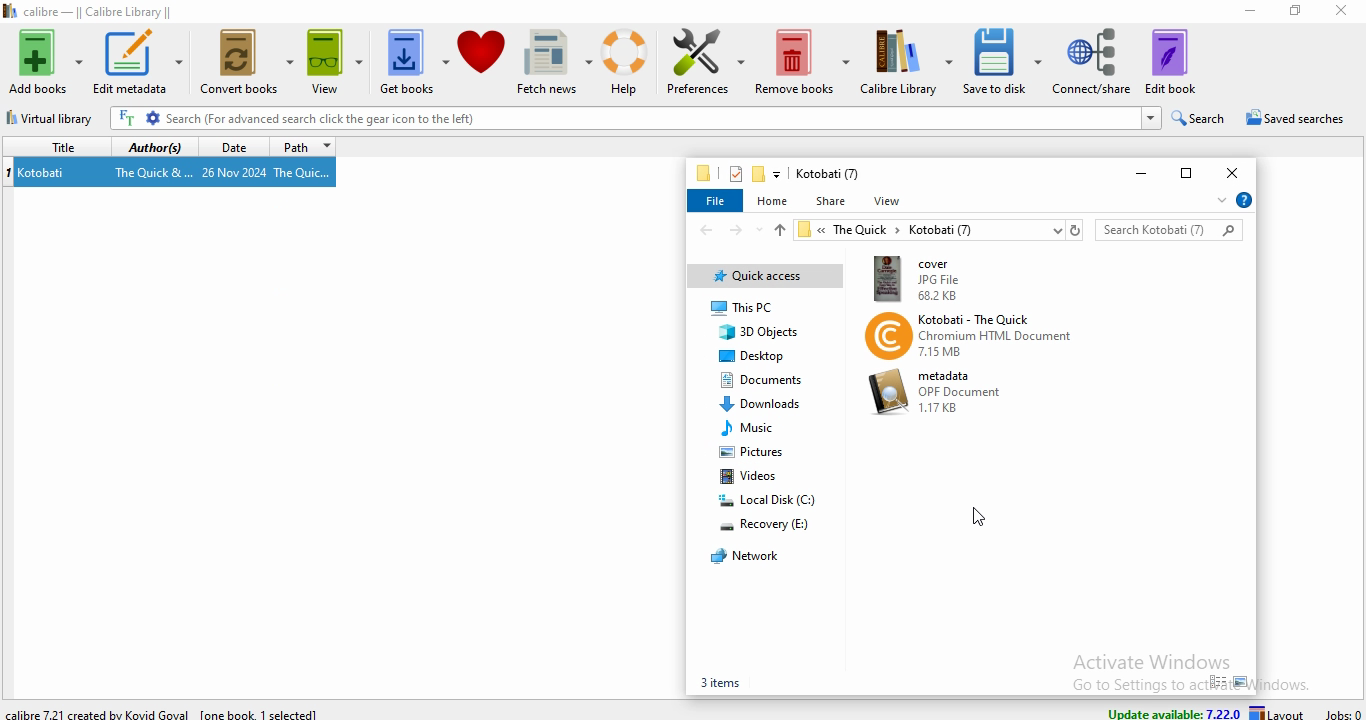 The height and width of the screenshot is (720, 1366). Describe the element at coordinates (152, 173) in the screenshot. I see `The Quick &...` at that location.